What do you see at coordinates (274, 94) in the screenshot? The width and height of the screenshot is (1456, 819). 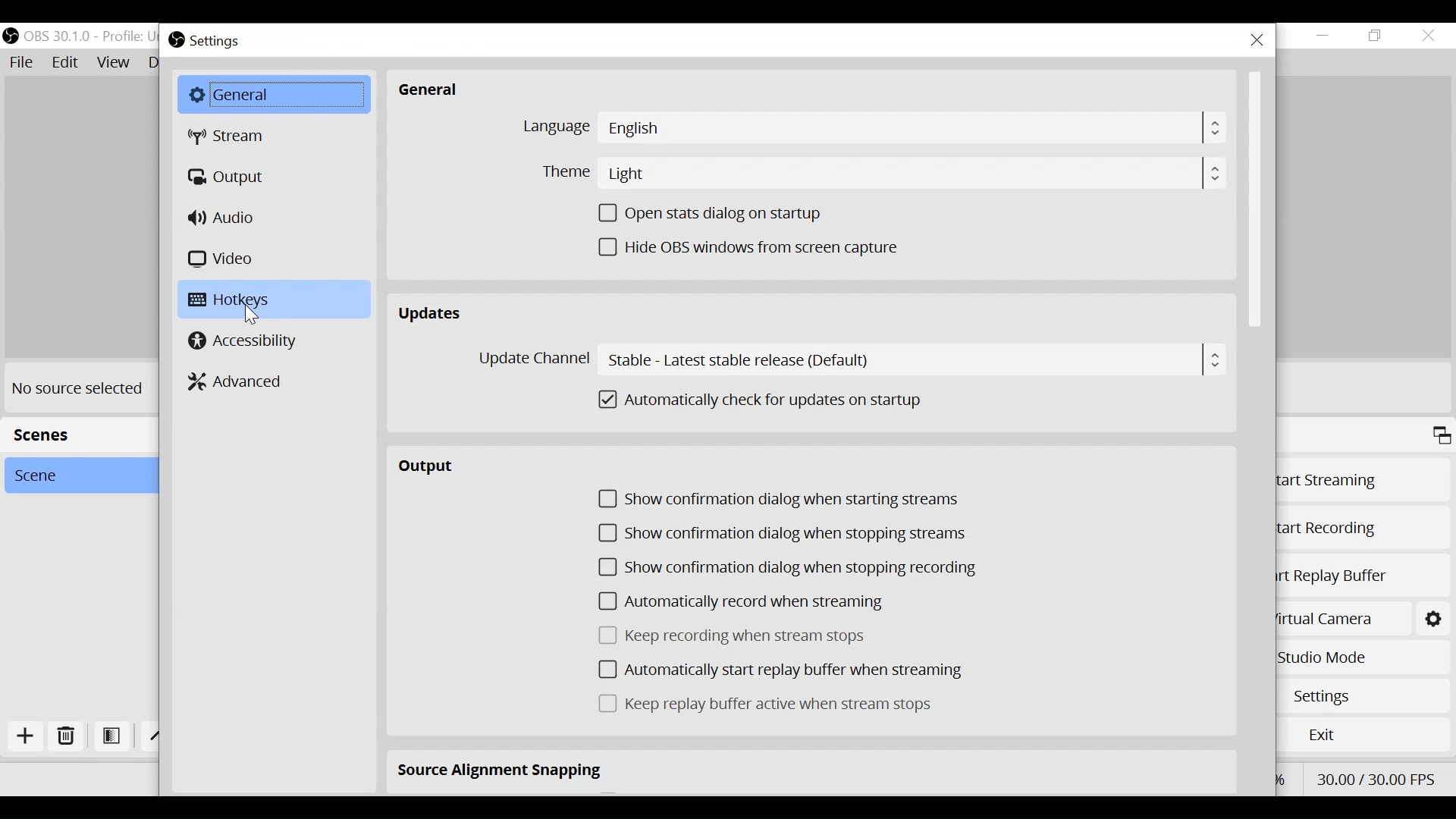 I see `General` at bounding box center [274, 94].